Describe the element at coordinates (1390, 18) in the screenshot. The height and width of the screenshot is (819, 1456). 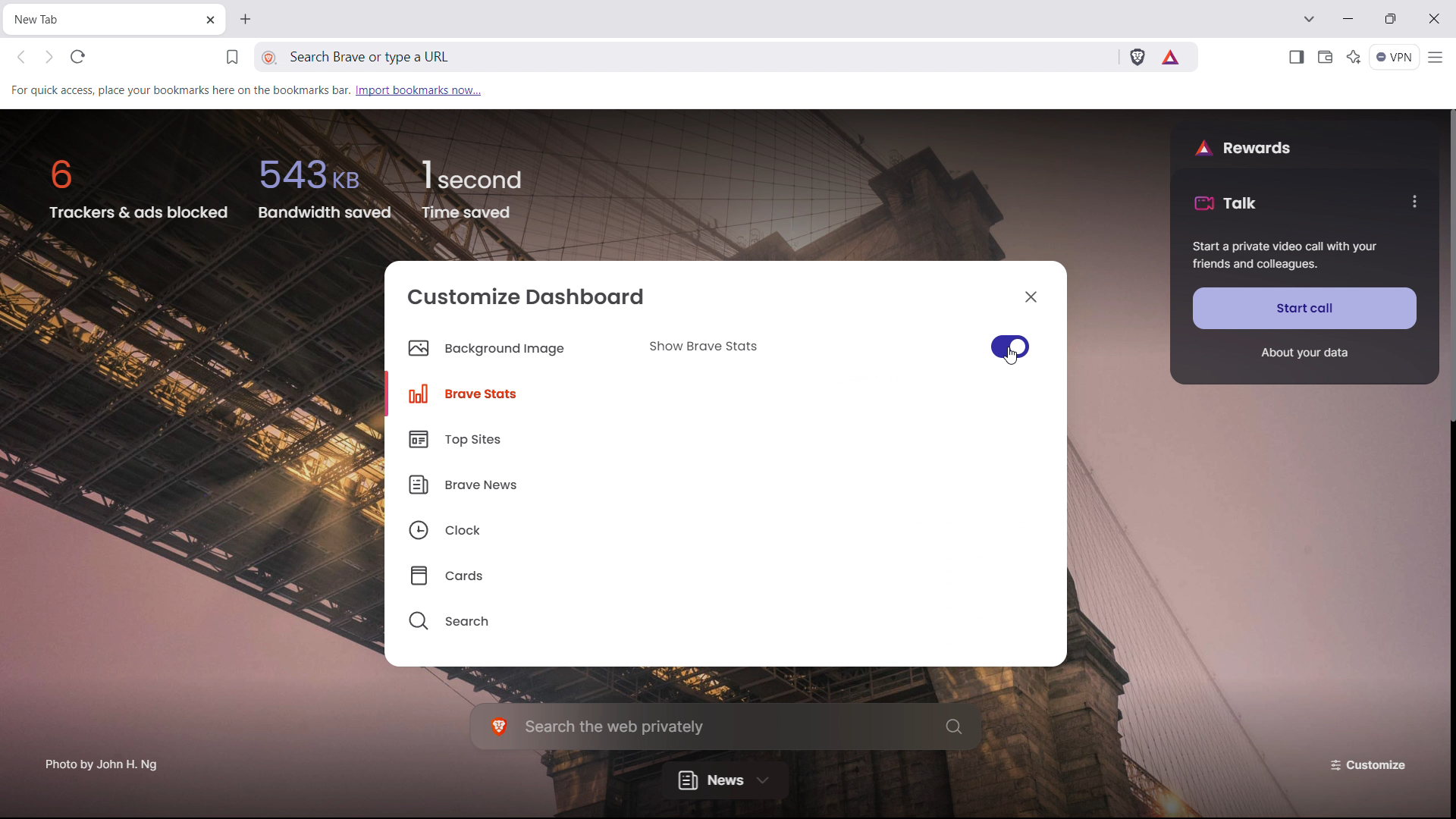
I see `maximize` at that location.